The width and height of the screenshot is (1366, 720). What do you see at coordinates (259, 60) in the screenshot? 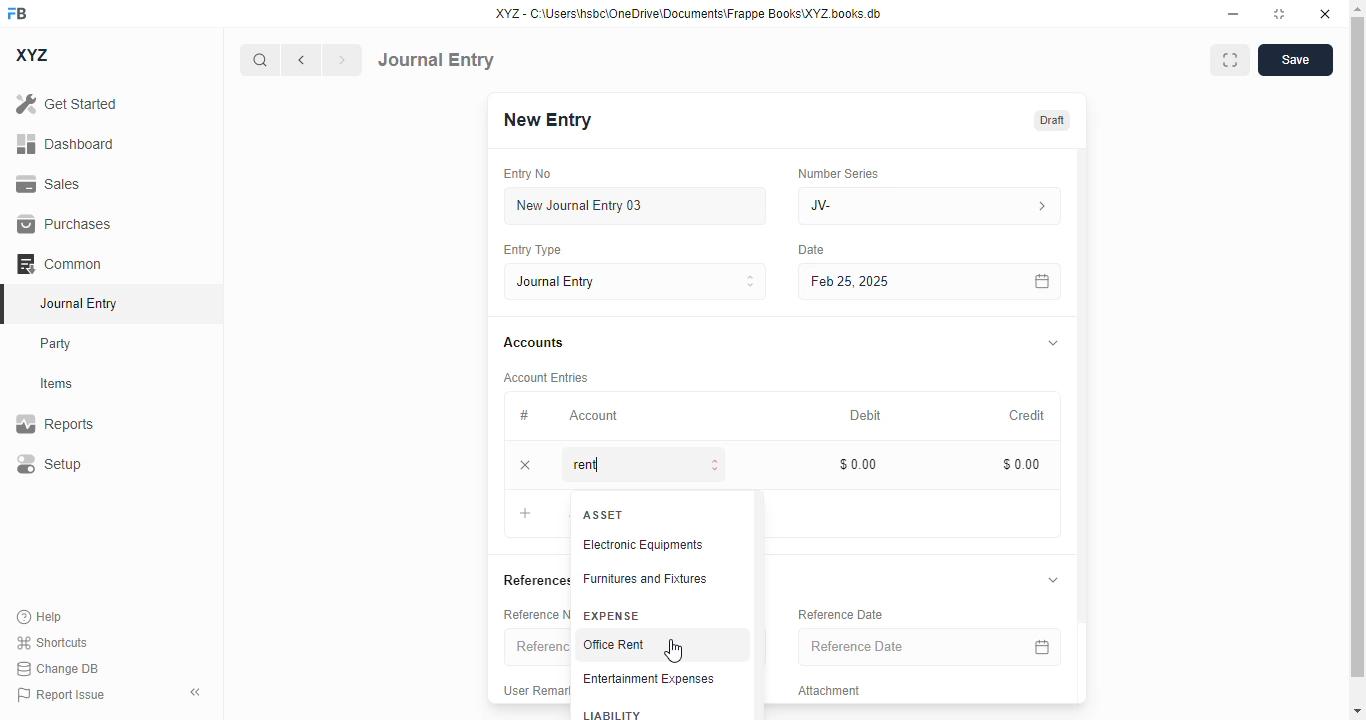
I see `search` at bounding box center [259, 60].